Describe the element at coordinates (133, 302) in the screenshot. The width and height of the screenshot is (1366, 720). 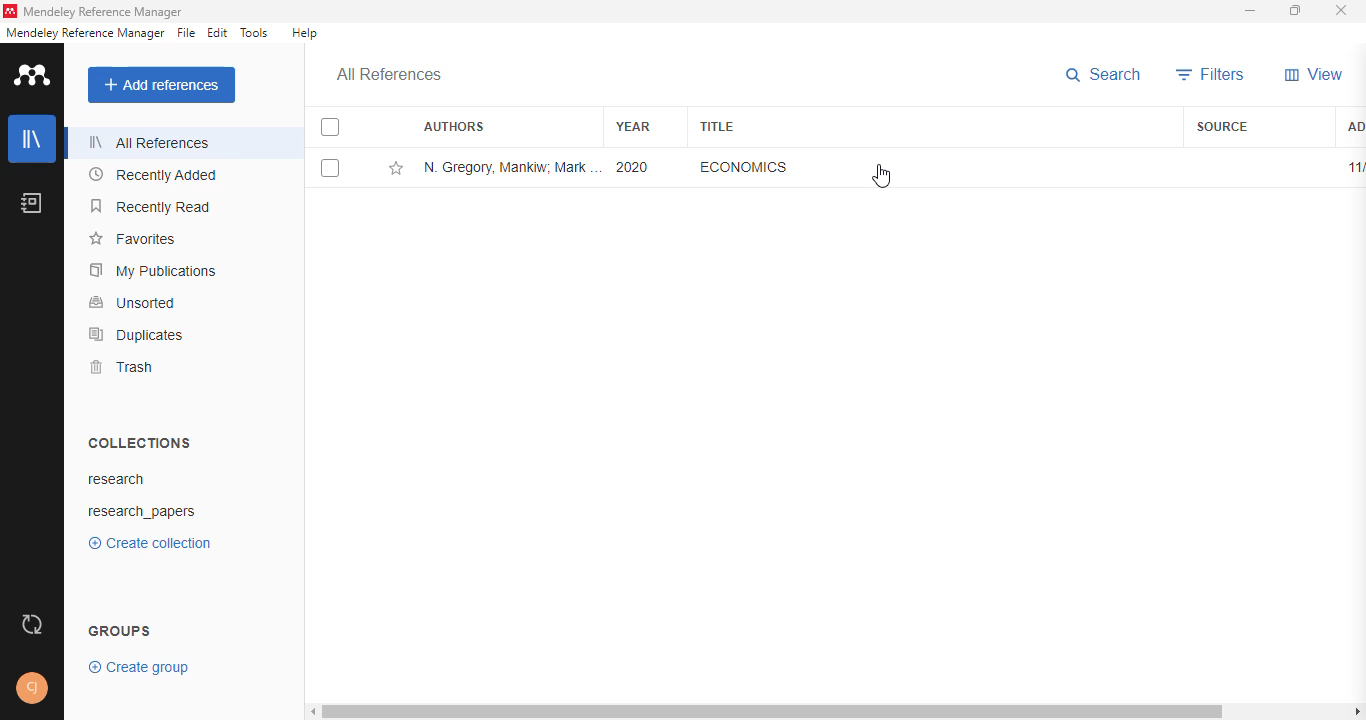
I see `unsorted` at that location.